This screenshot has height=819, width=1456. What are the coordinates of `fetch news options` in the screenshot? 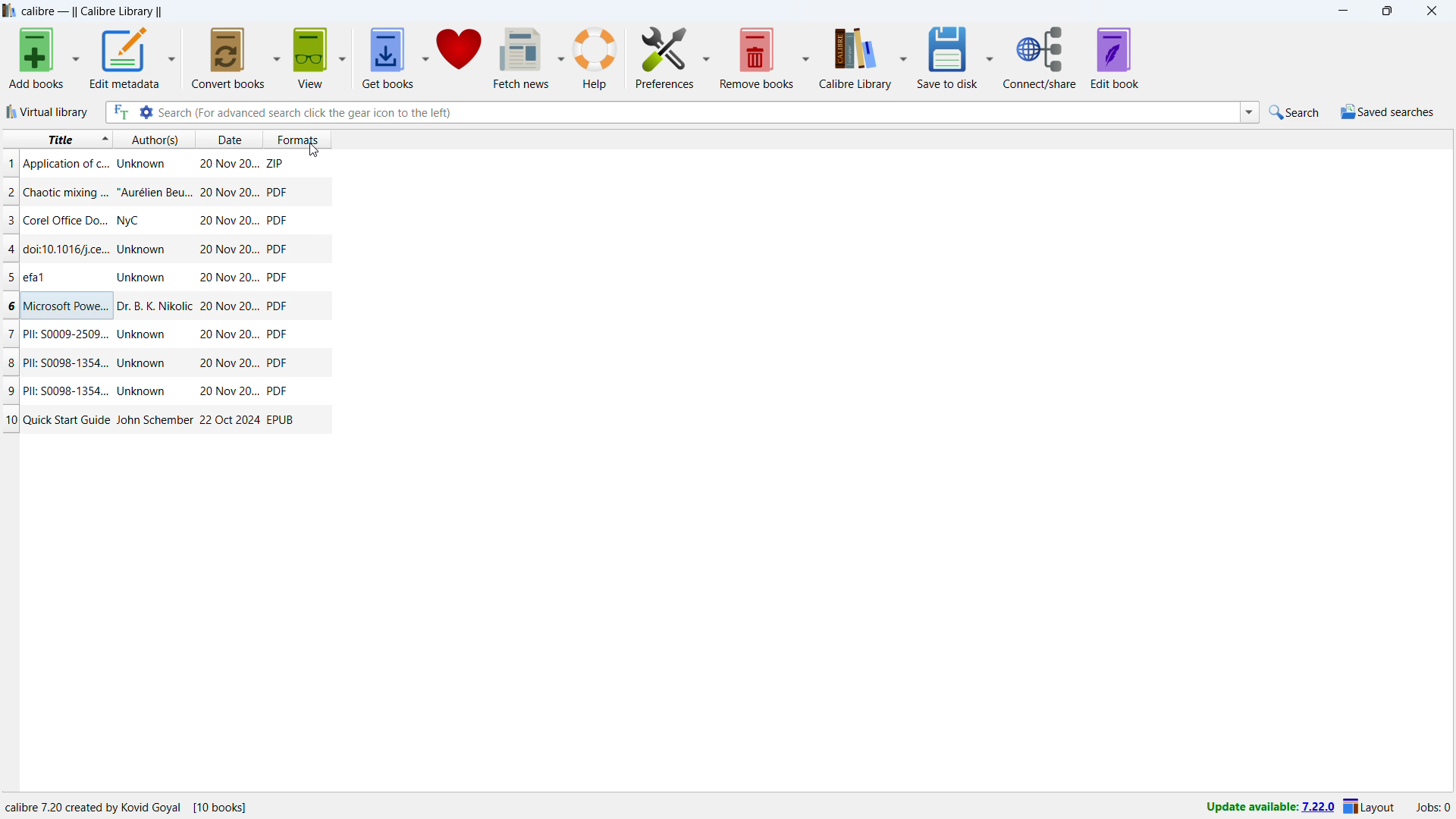 It's located at (561, 56).